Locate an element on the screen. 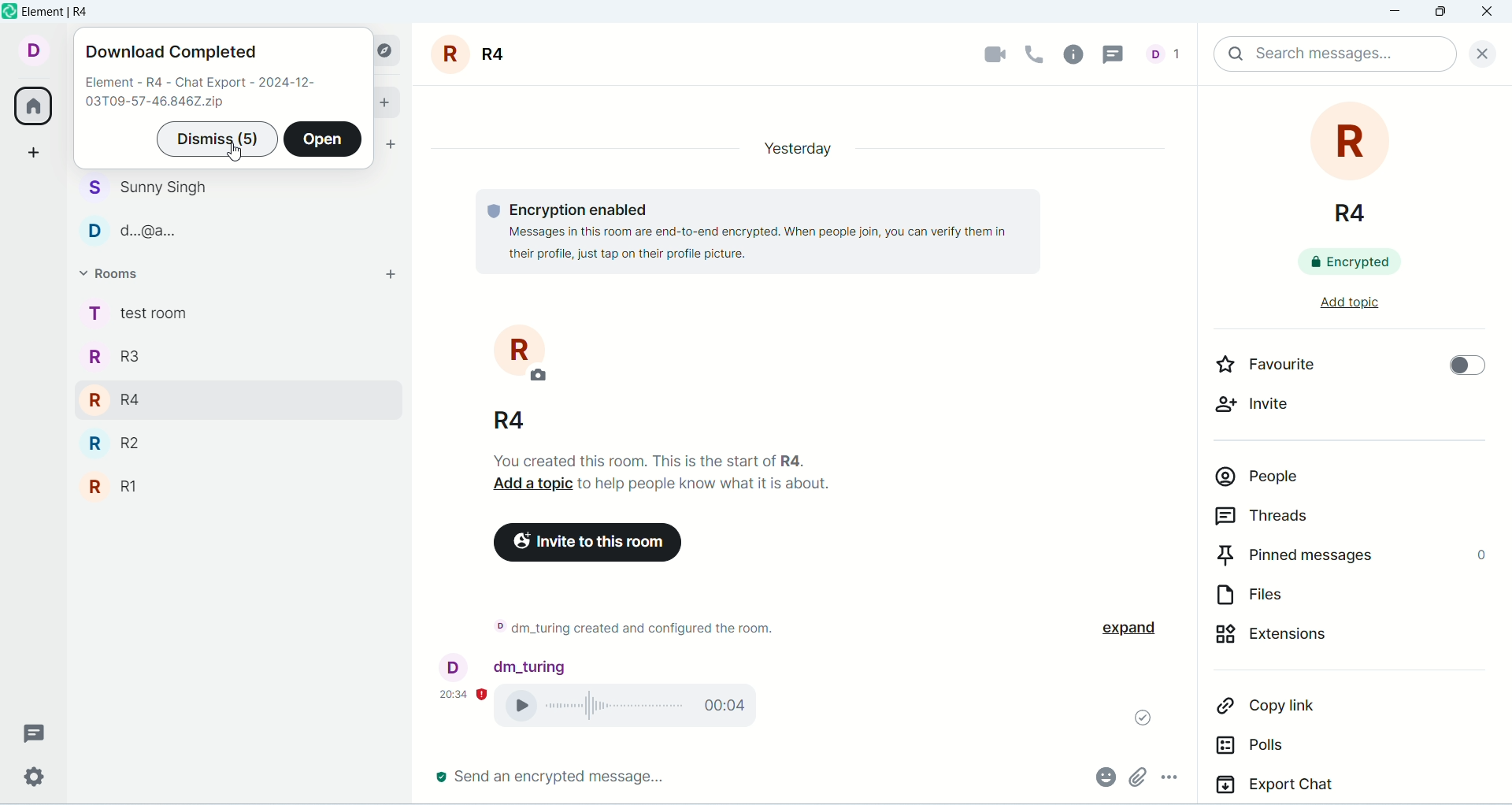 Image resolution: width=1512 pixels, height=805 pixels. attachment is located at coordinates (1136, 777).